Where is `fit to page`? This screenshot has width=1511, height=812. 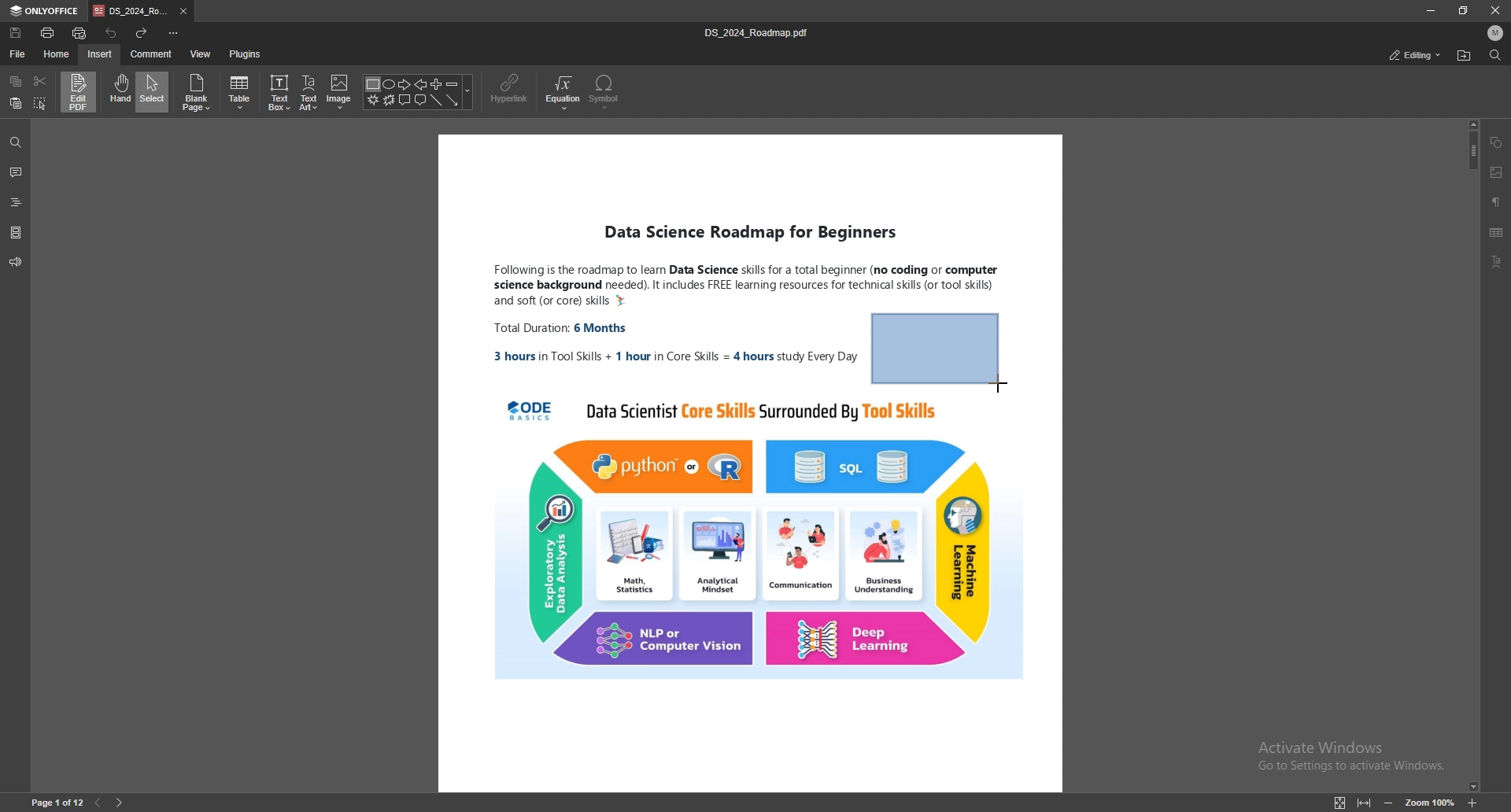 fit to page is located at coordinates (1339, 803).